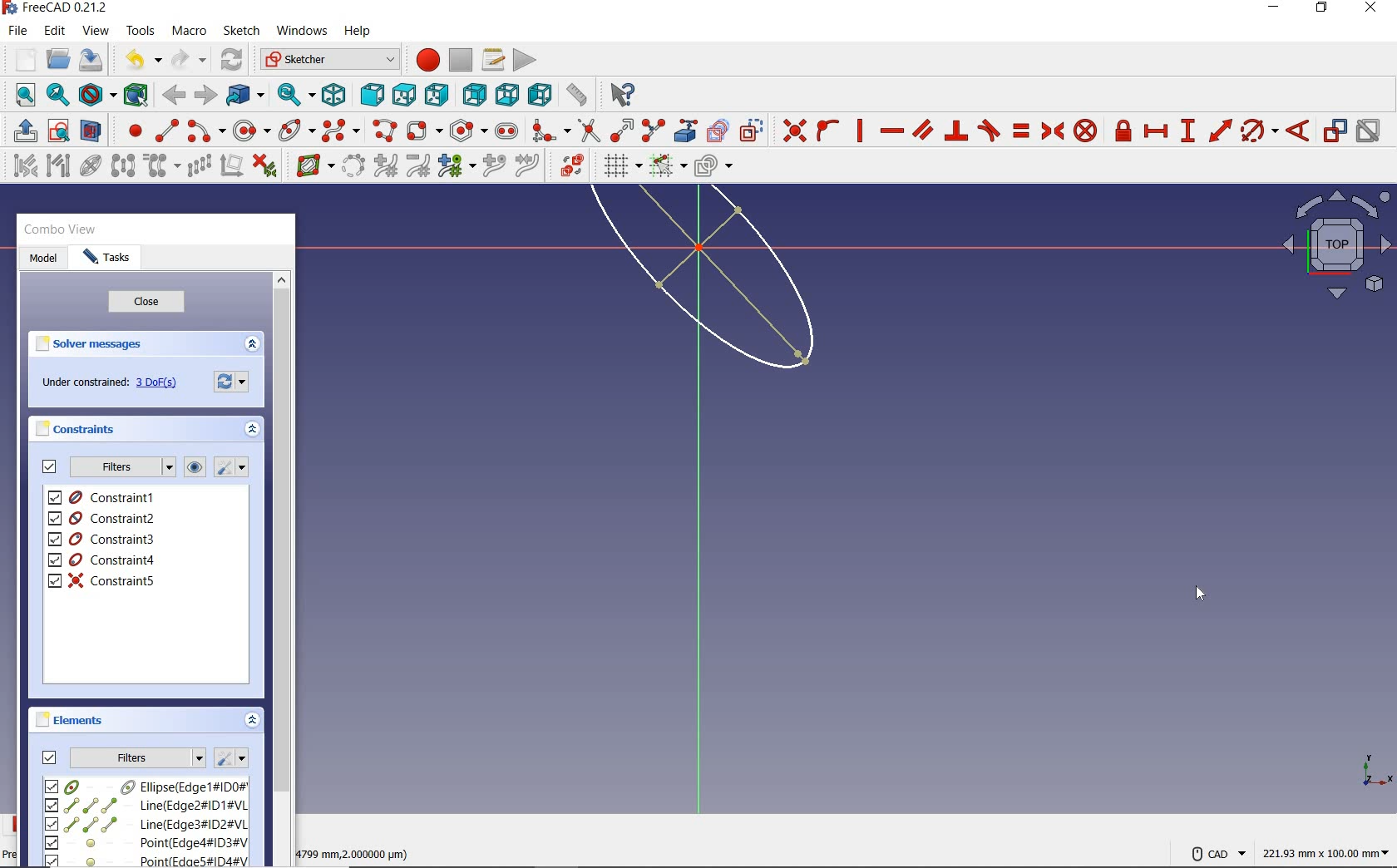 The width and height of the screenshot is (1397, 868). Describe the element at coordinates (252, 128) in the screenshot. I see `create circle` at that location.